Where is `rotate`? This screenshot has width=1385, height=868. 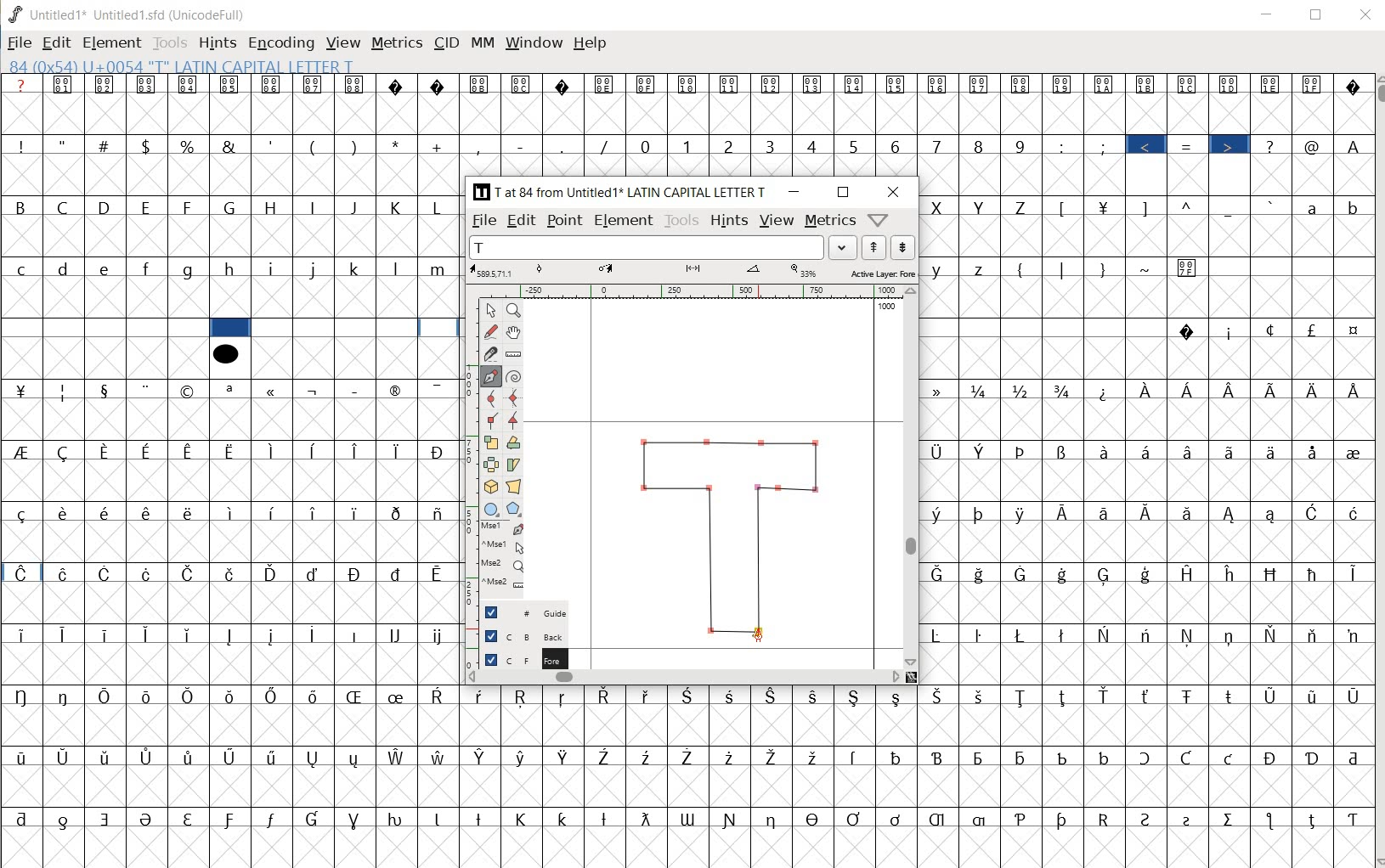 rotate is located at coordinates (517, 443).